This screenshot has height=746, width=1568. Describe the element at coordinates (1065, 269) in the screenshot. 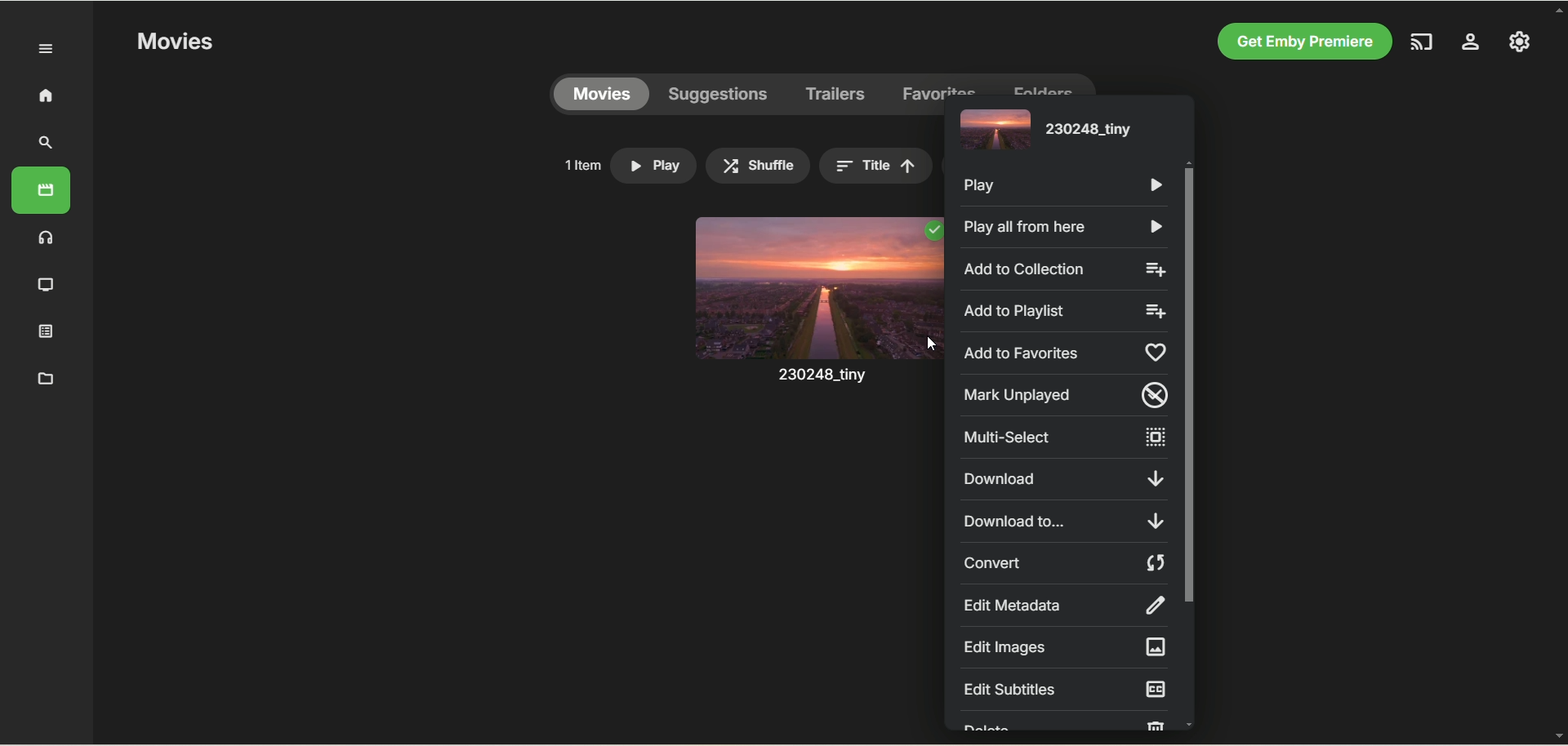

I see `add to collection` at that location.